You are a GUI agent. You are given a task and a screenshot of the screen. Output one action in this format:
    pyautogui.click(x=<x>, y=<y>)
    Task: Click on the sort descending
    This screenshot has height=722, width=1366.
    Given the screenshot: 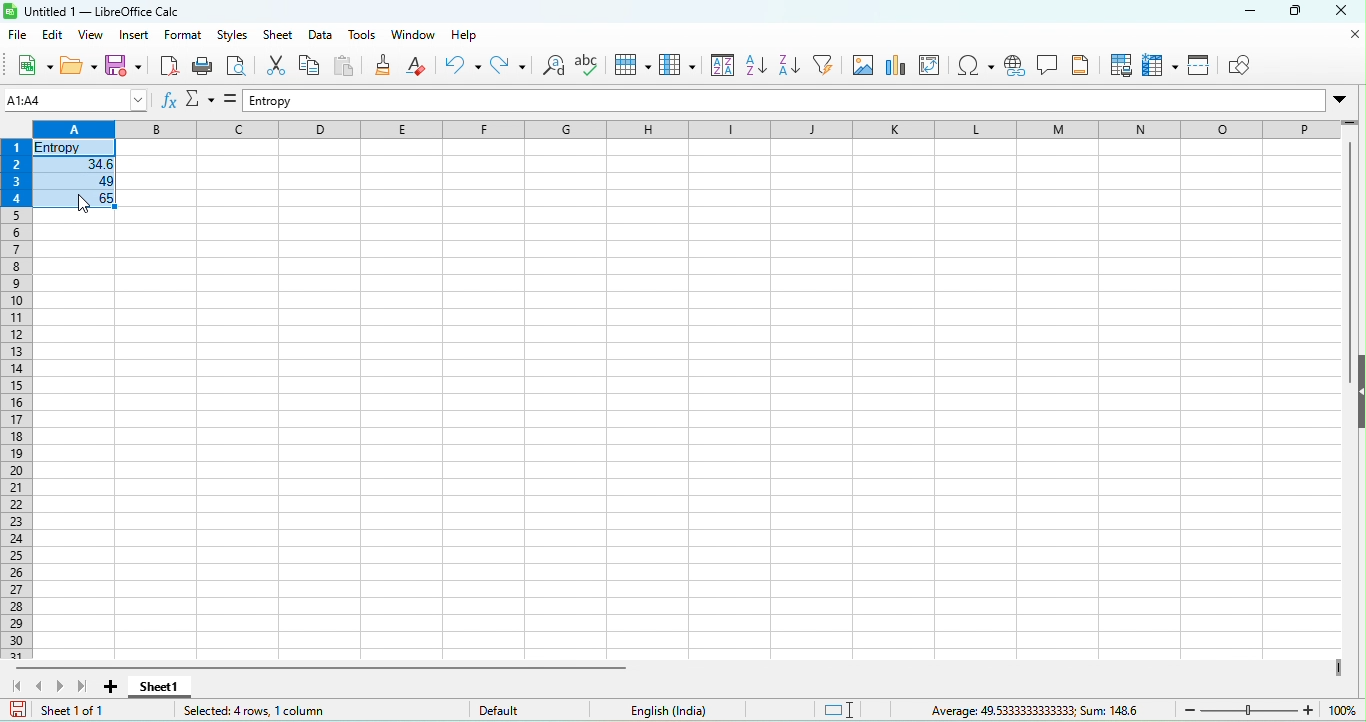 What is the action you would take?
    pyautogui.click(x=794, y=68)
    